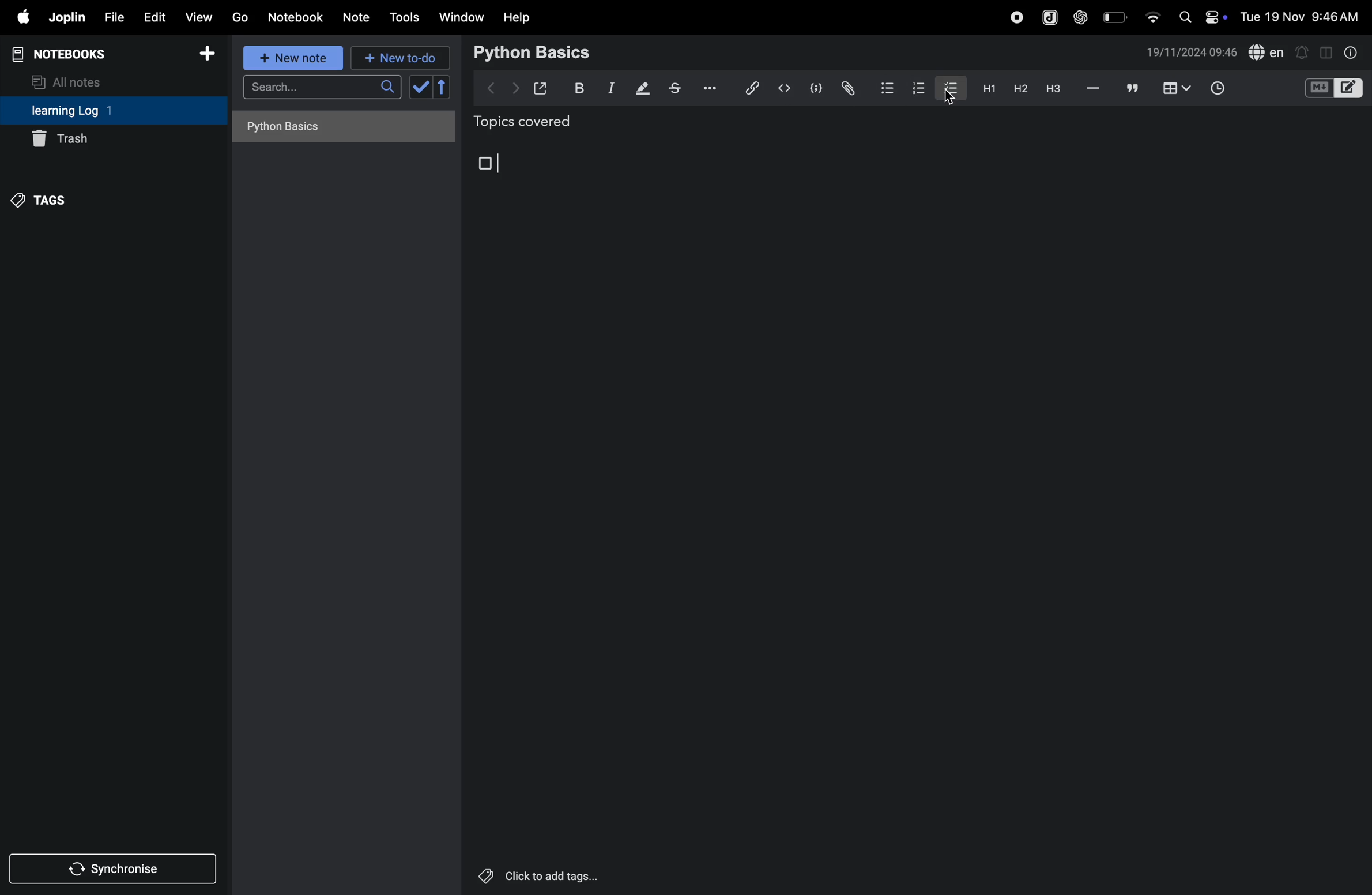 This screenshot has width=1372, height=895. I want to click on date and time, so click(1303, 16).